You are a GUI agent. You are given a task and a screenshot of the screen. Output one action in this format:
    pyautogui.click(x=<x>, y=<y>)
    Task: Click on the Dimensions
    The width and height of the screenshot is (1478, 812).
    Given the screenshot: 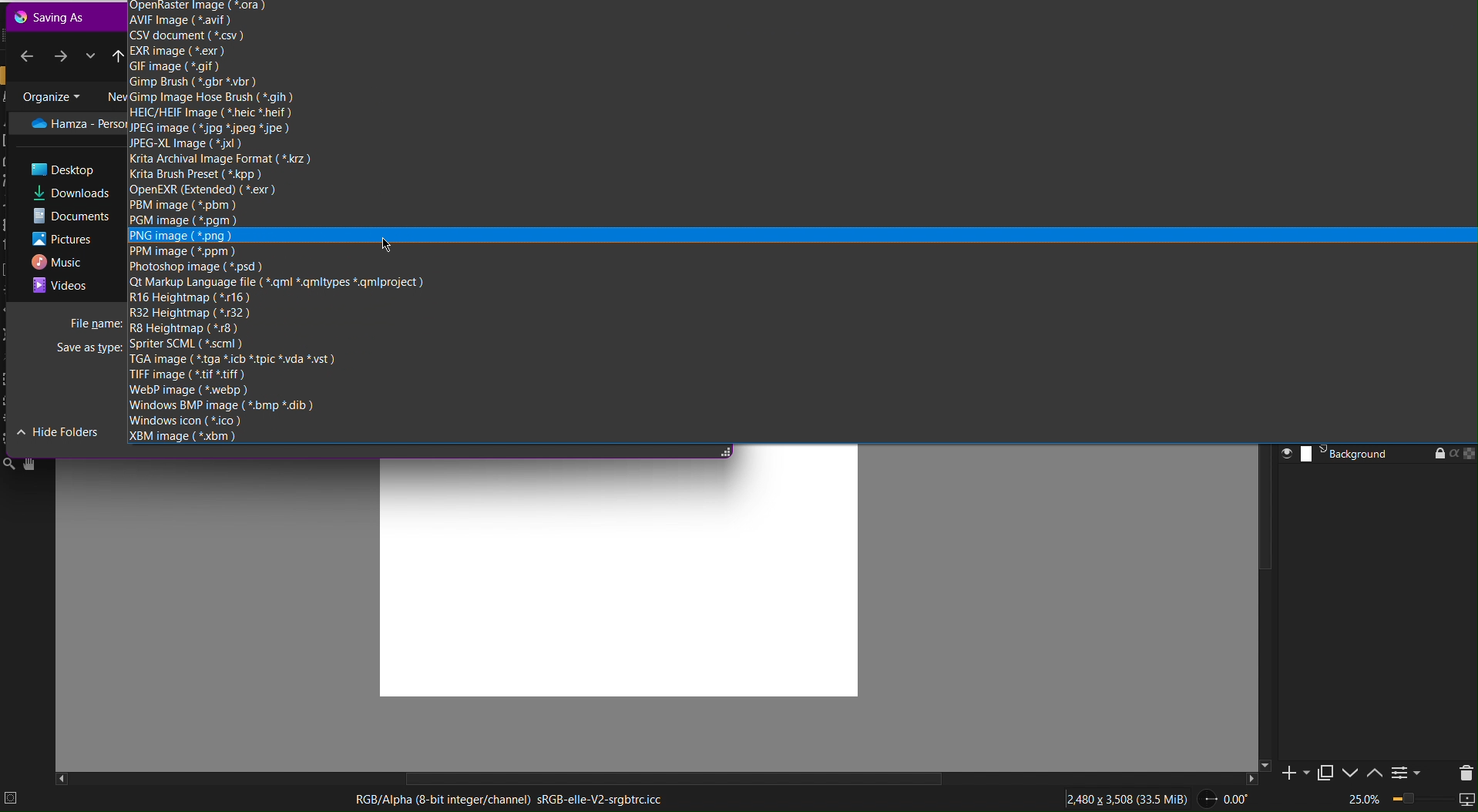 What is the action you would take?
    pyautogui.click(x=1130, y=797)
    